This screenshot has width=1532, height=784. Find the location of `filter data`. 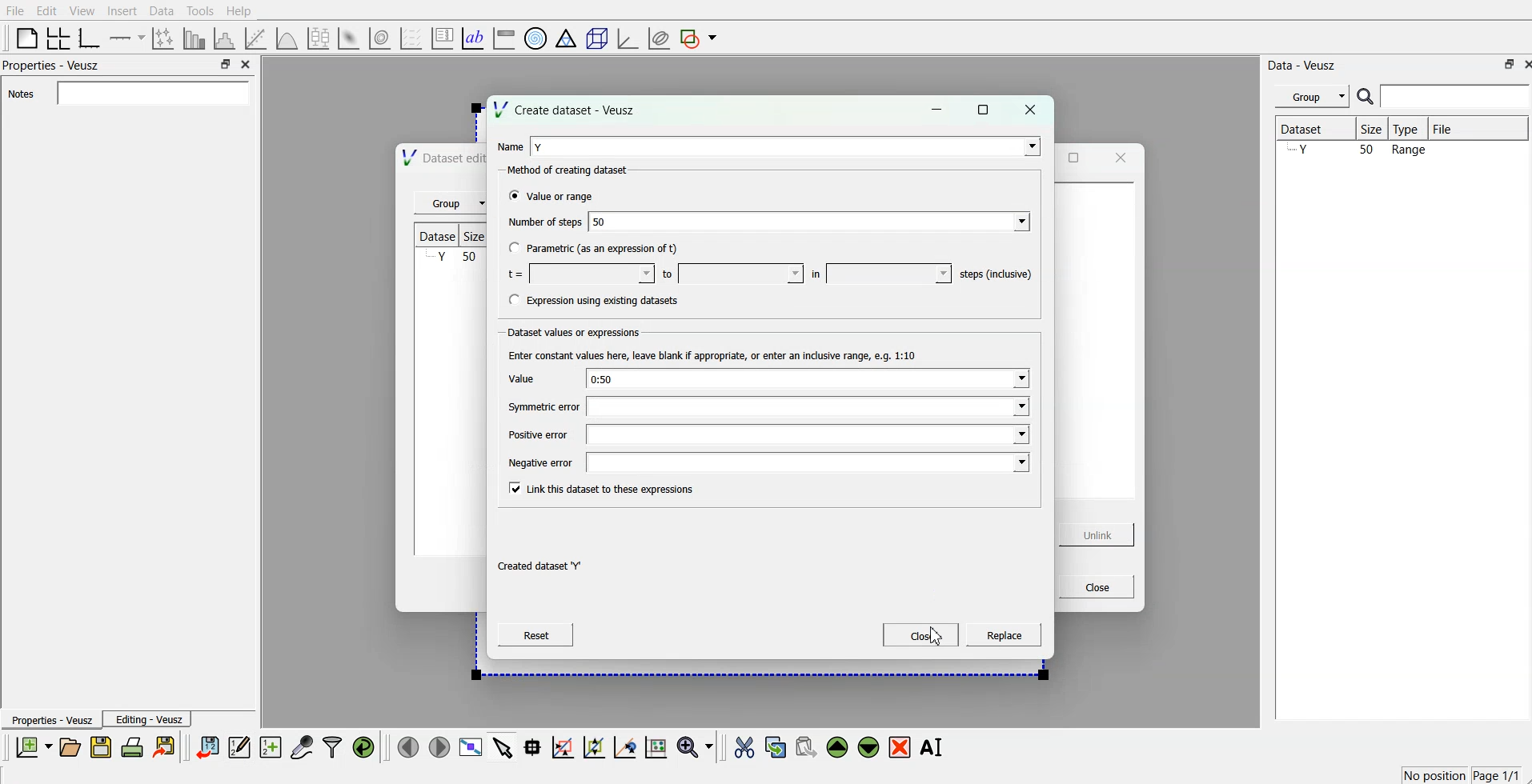

filter data is located at coordinates (332, 747).